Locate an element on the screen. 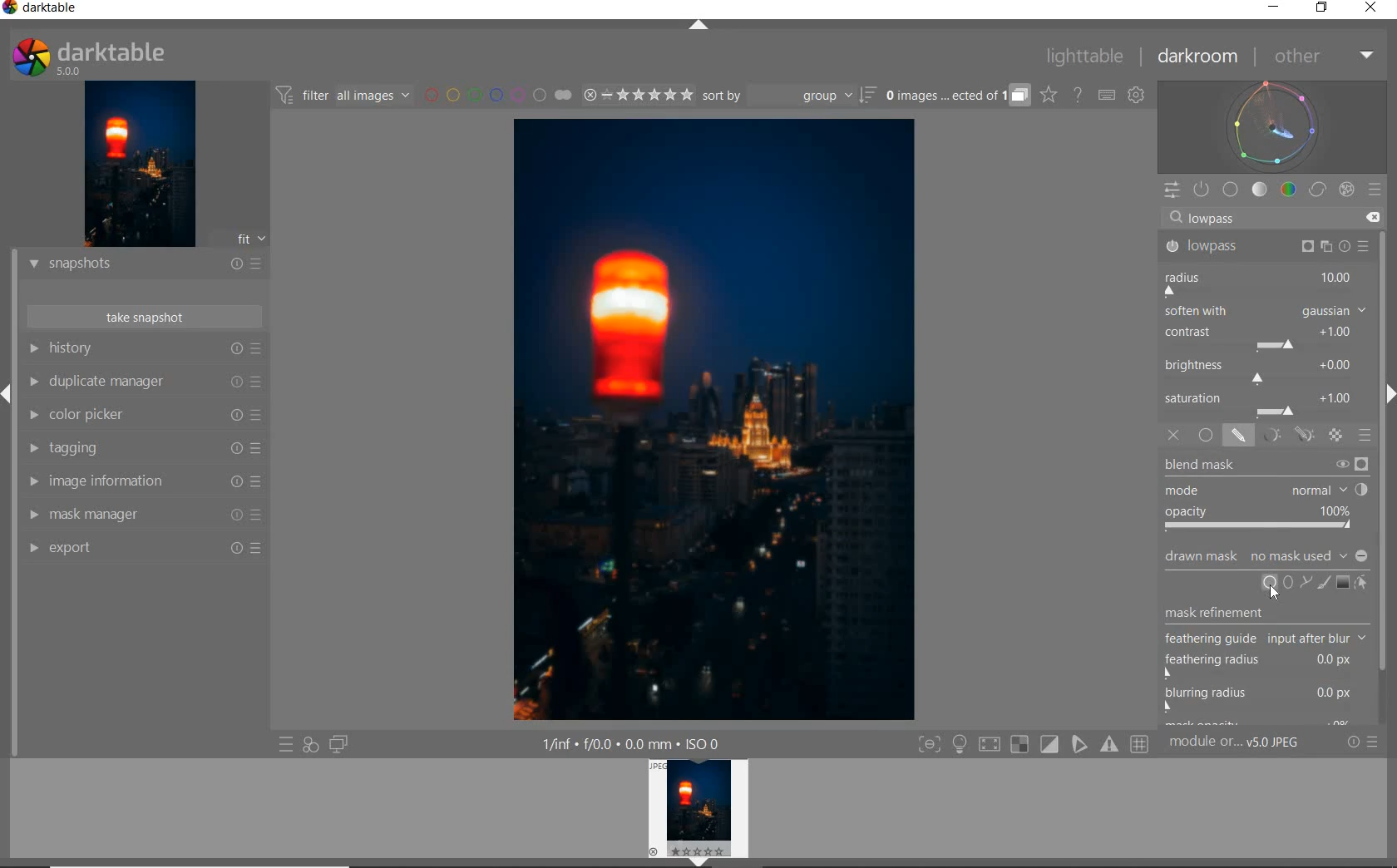  QUICK ACCESS TO PRESET is located at coordinates (286, 747).